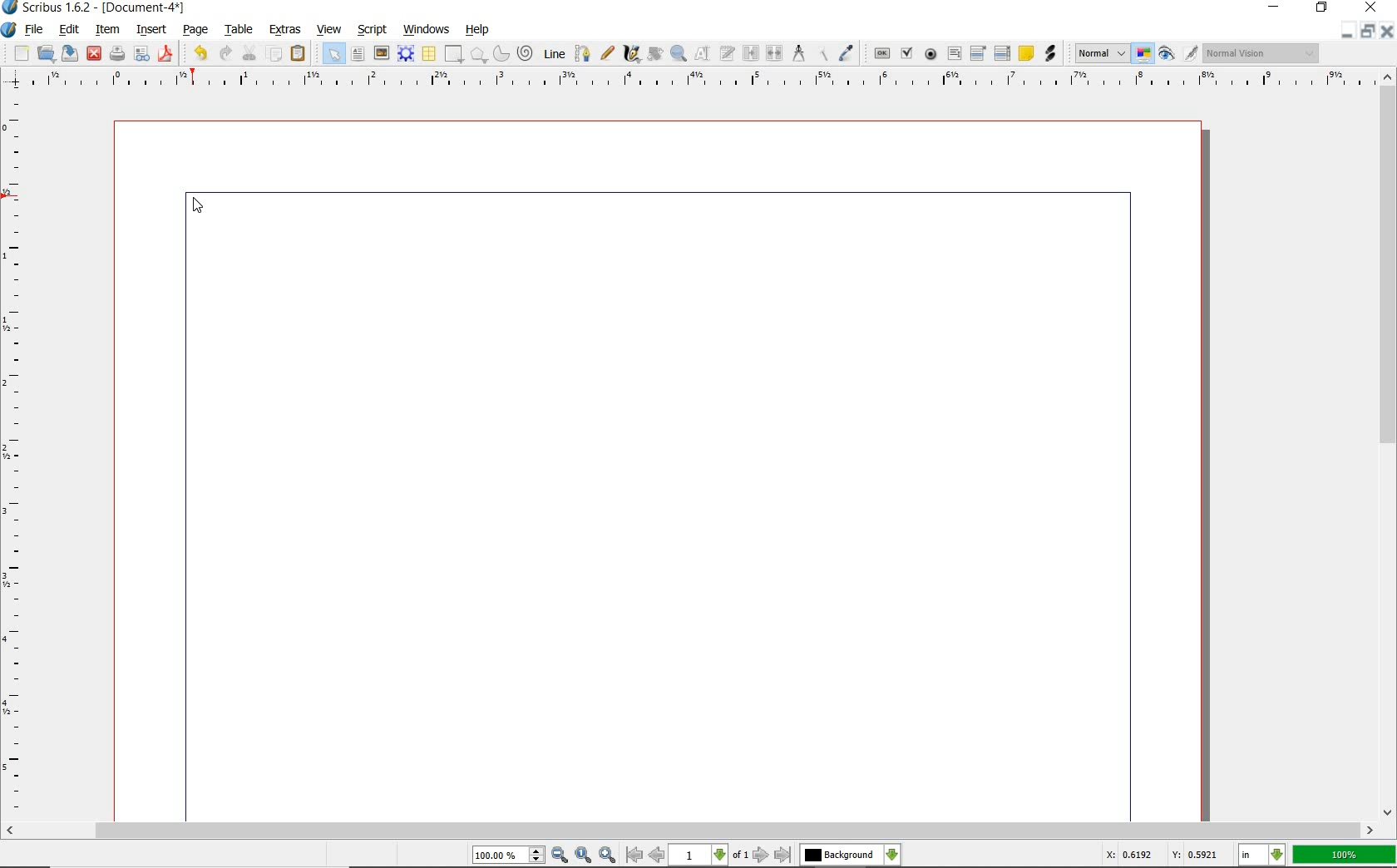  What do you see at coordinates (554, 54) in the screenshot?
I see `line` at bounding box center [554, 54].